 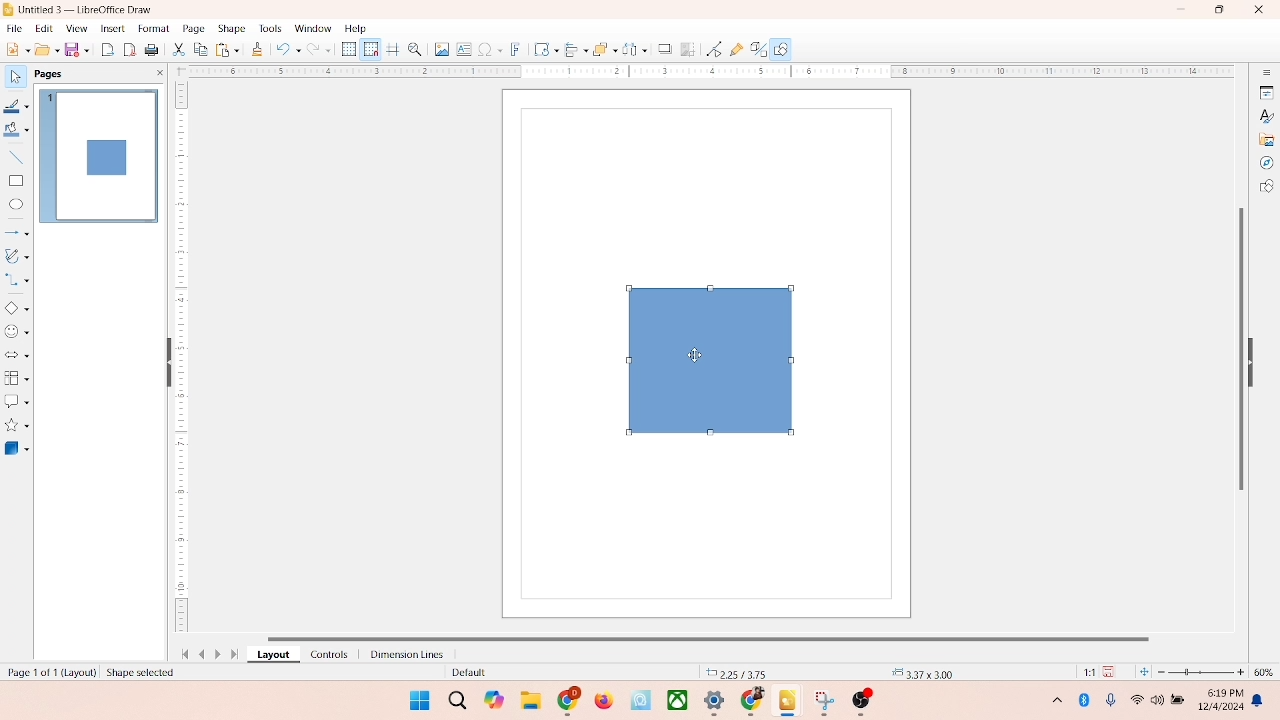 I want to click on save, so click(x=79, y=49).